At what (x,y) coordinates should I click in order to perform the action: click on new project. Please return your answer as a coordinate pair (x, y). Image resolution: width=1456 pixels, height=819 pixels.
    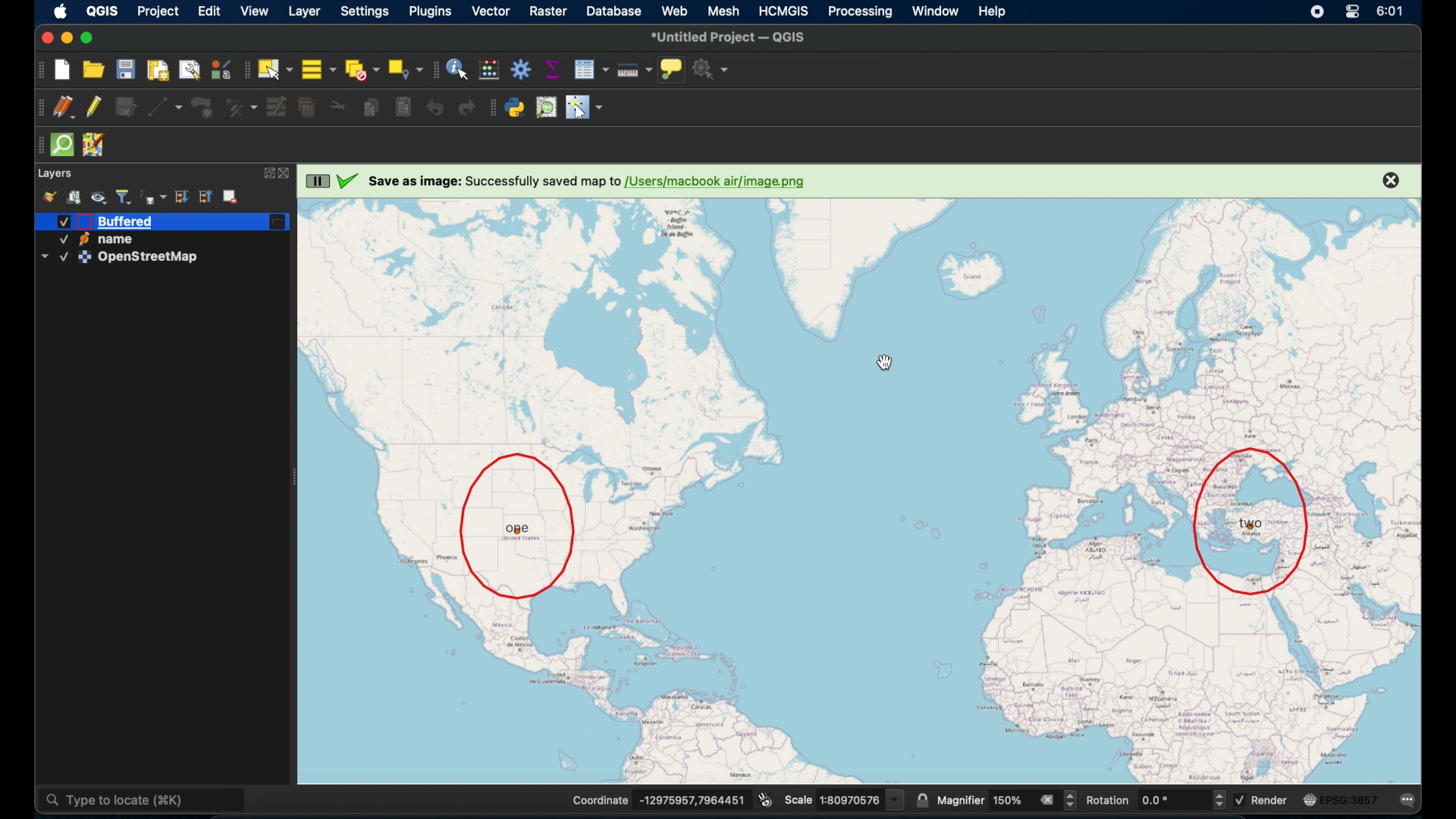
    Looking at the image, I should click on (64, 69).